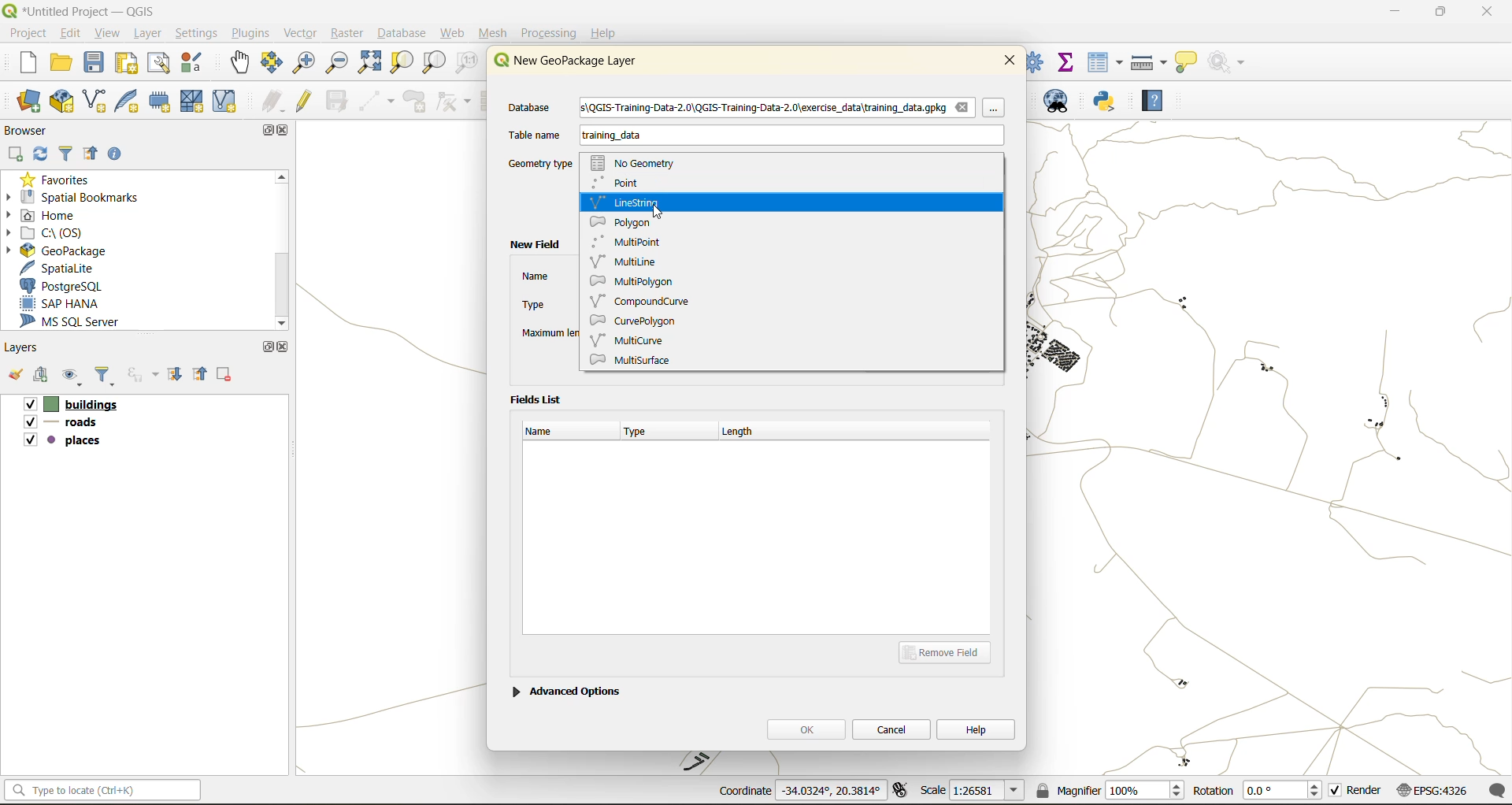  I want to click on layer, so click(151, 34).